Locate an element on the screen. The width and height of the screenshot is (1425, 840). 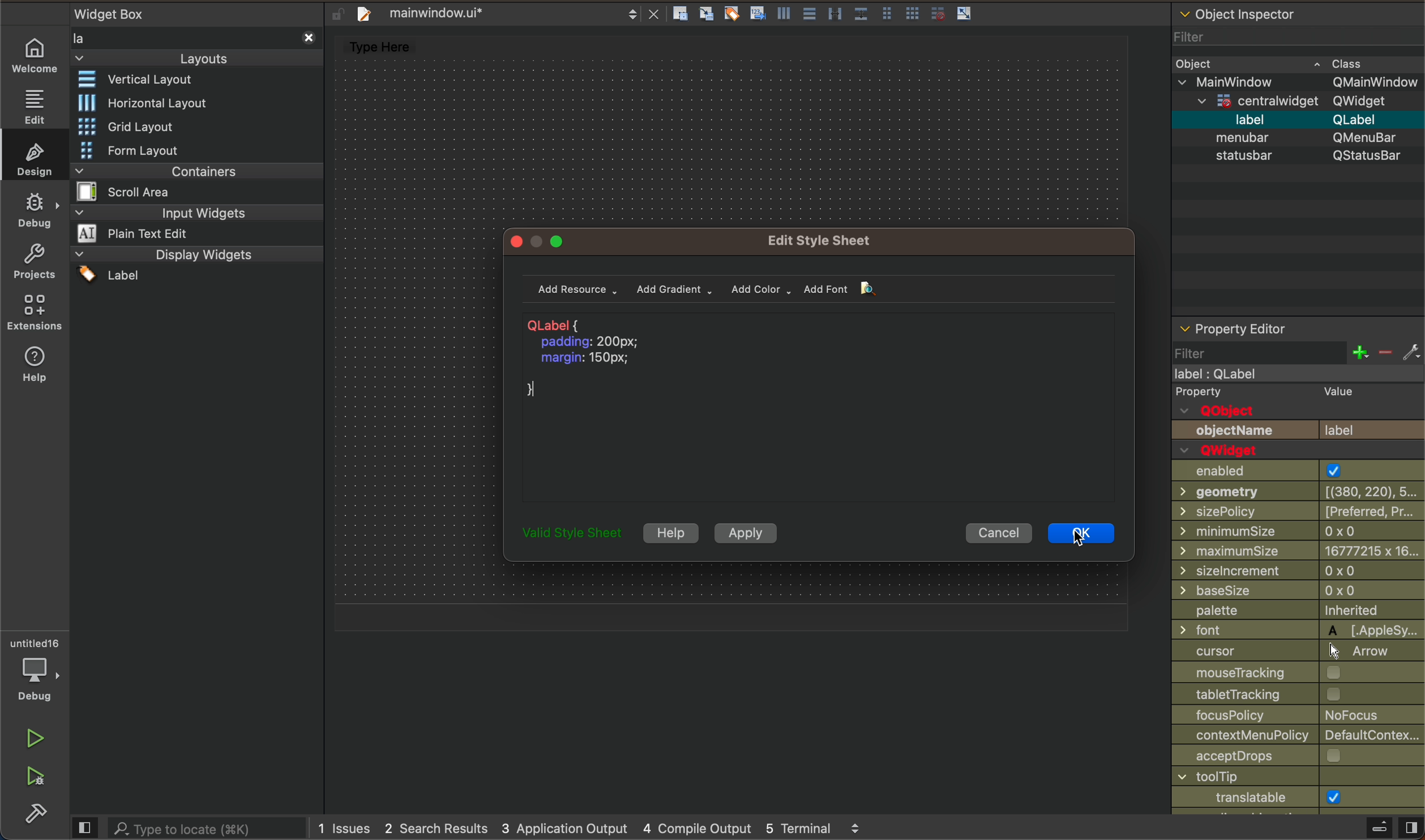
cursor is located at coordinates (1092, 531).